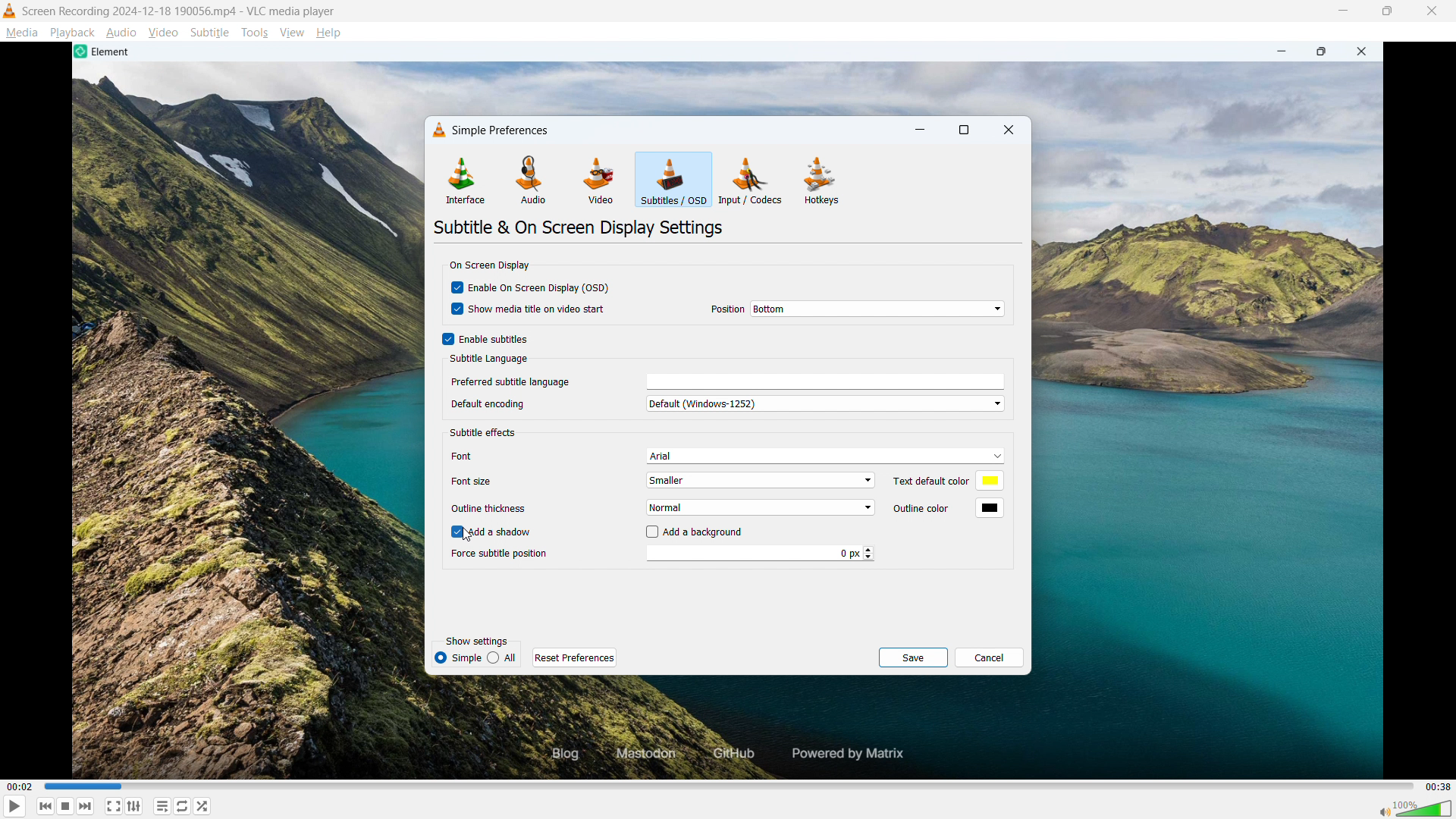 The width and height of the screenshot is (1456, 819). I want to click on Input or codecs , so click(751, 180).